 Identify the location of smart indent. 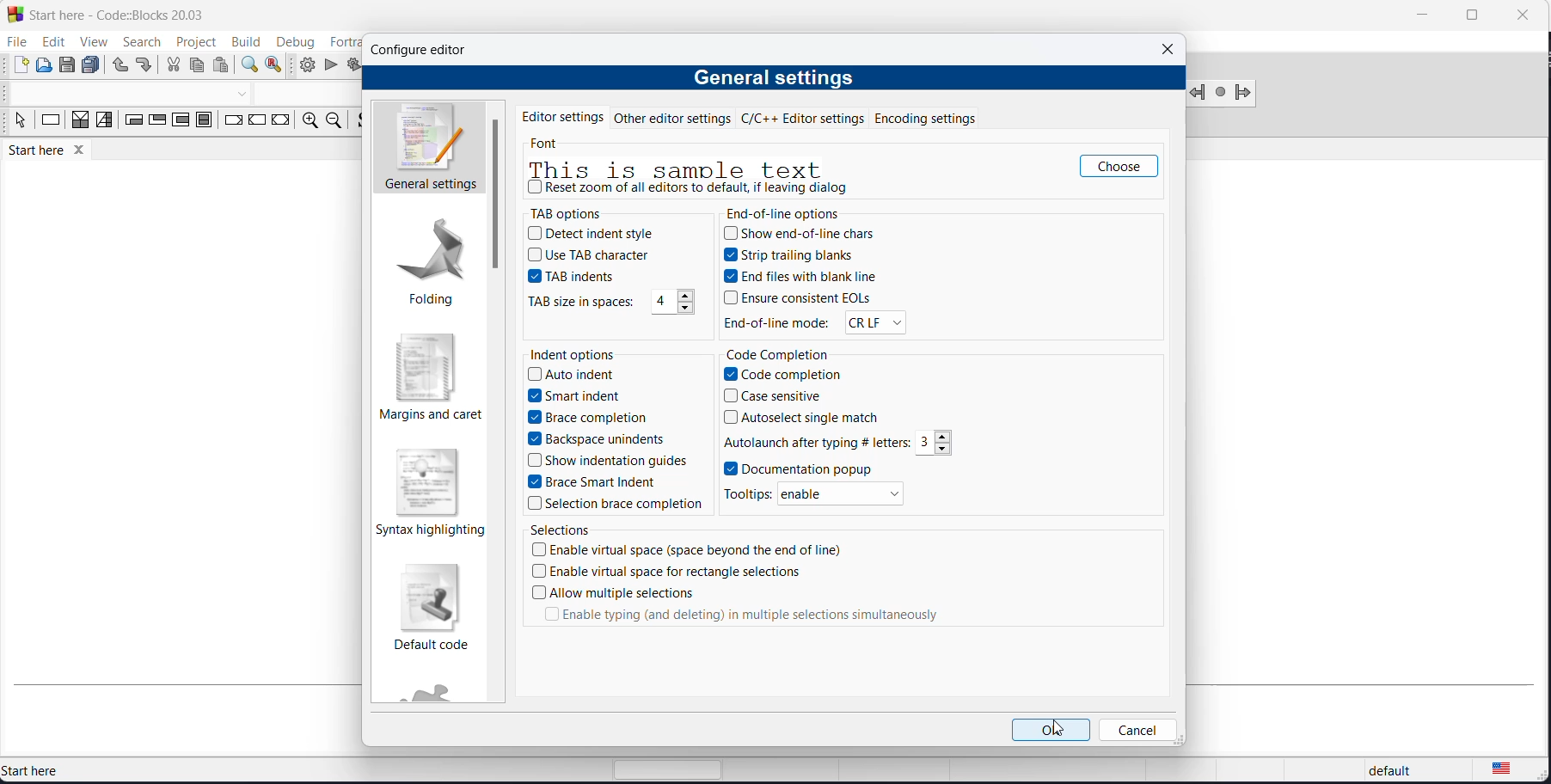
(577, 395).